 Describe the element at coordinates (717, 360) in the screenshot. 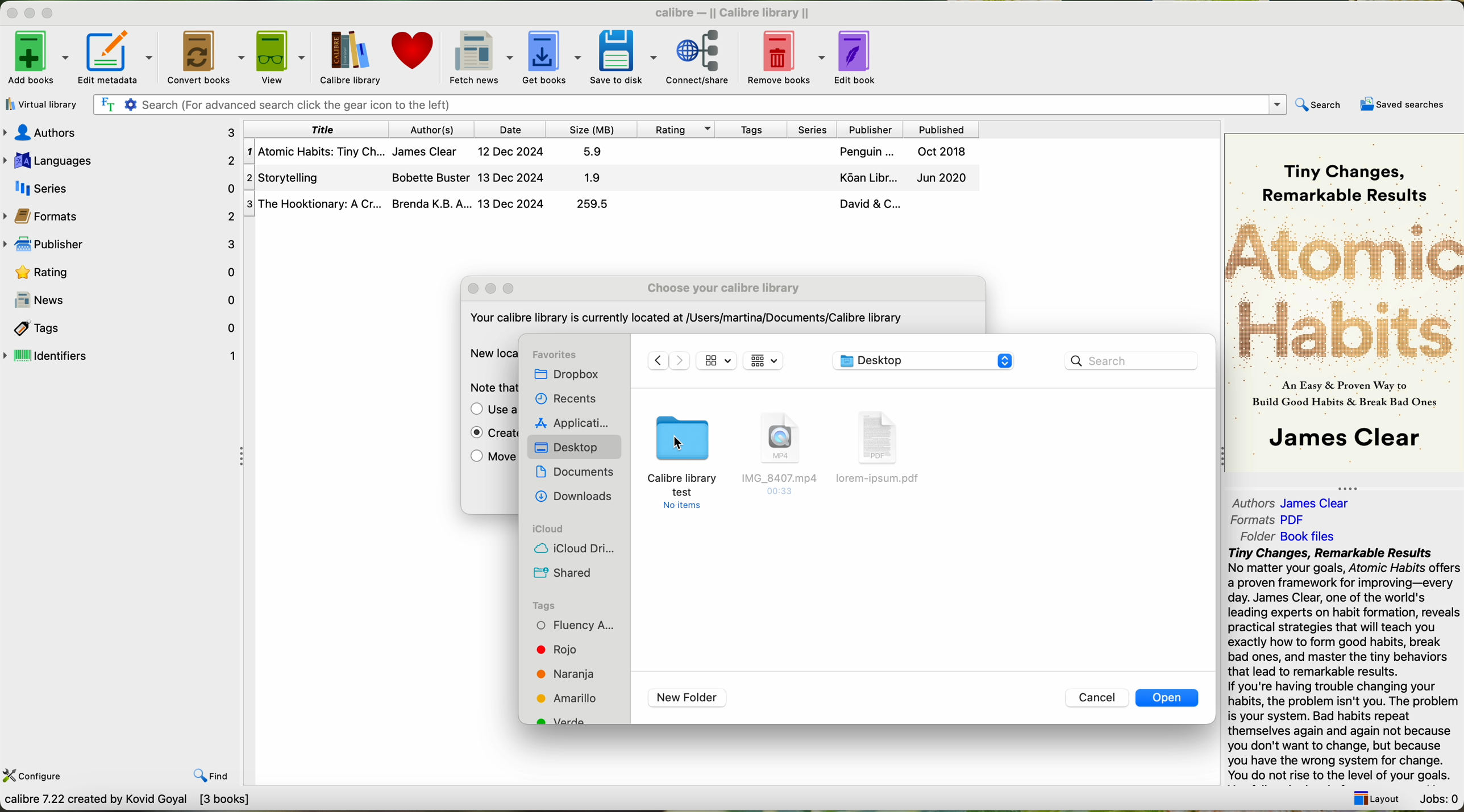

I see `icon` at that location.